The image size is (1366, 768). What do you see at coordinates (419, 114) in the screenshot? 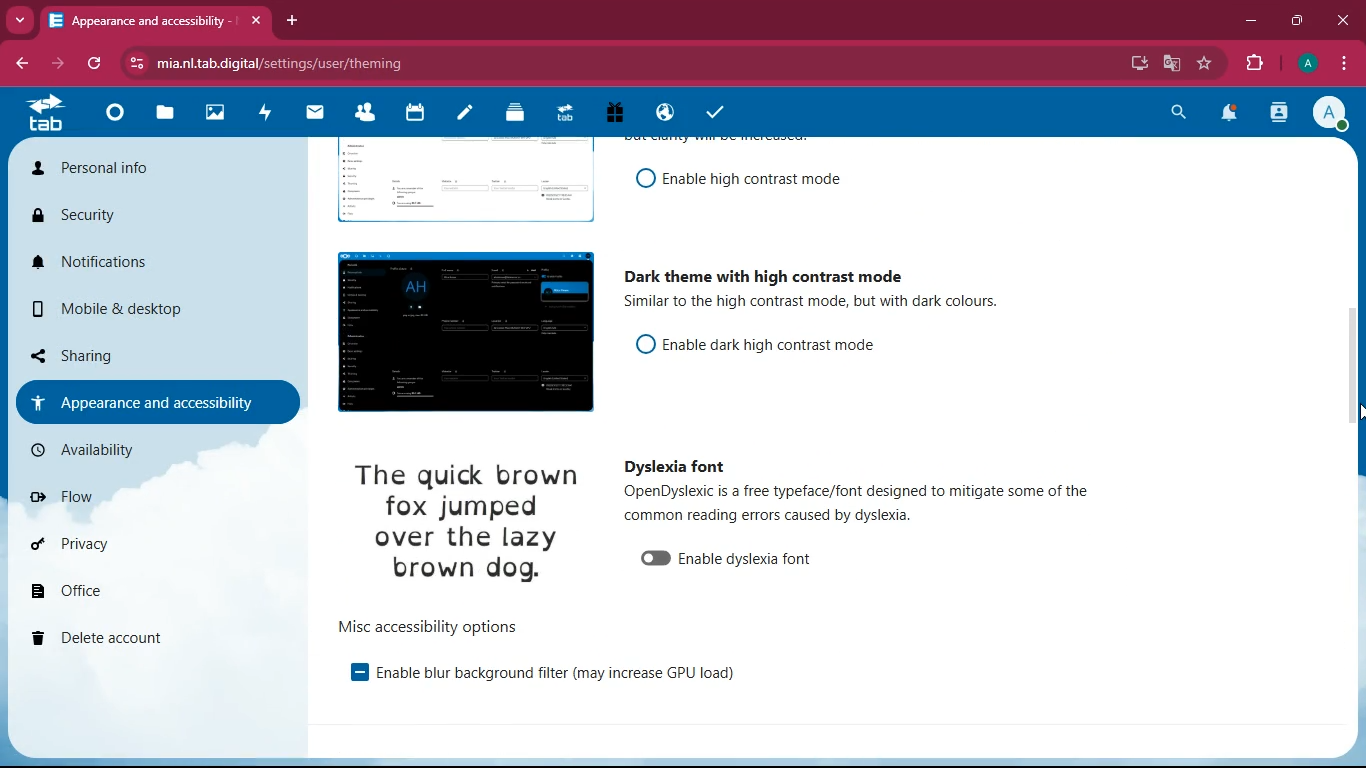
I see `calendar` at bounding box center [419, 114].